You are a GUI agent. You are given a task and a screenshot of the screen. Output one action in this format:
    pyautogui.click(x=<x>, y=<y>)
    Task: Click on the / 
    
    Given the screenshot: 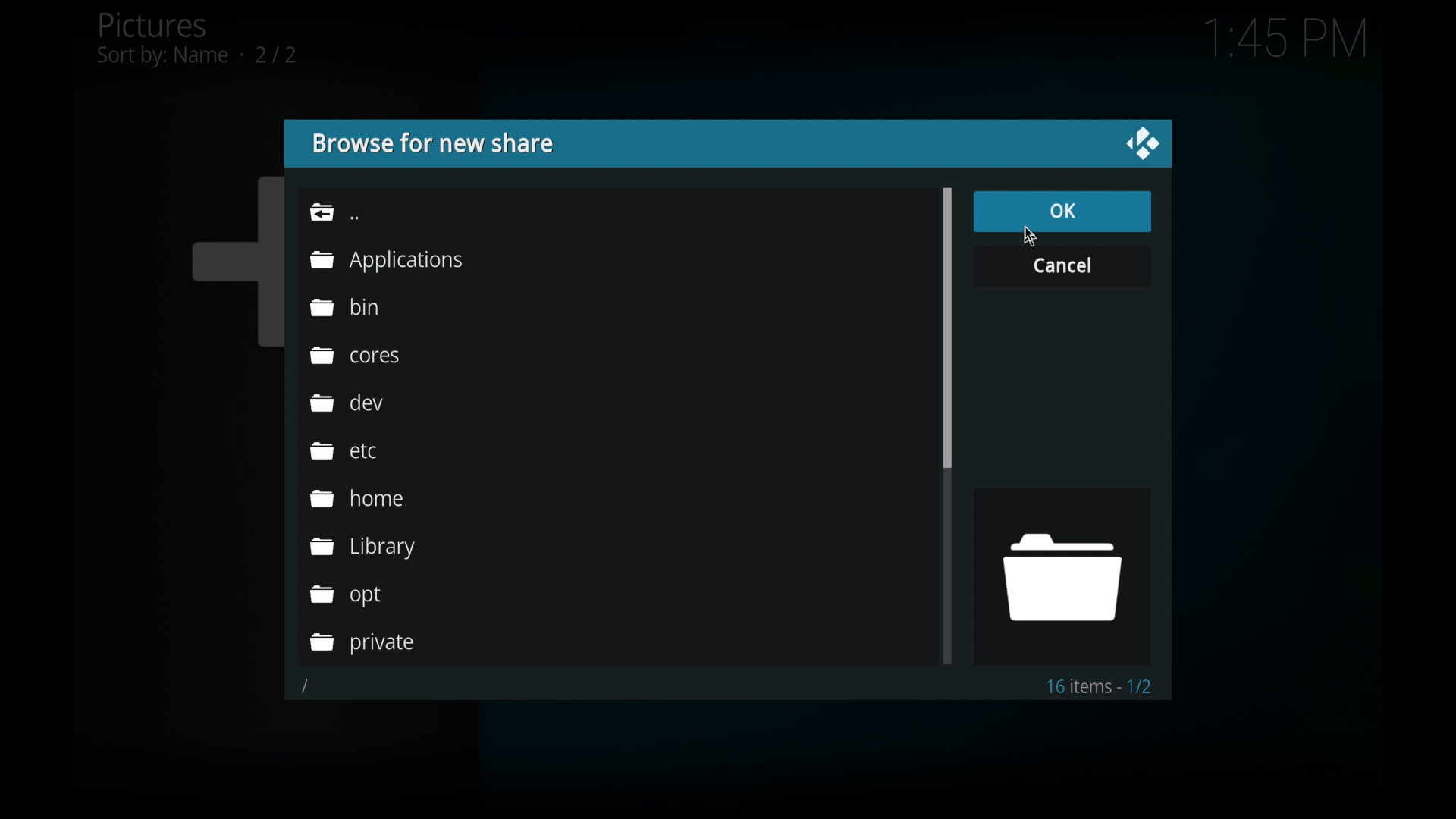 What is the action you would take?
    pyautogui.click(x=306, y=687)
    